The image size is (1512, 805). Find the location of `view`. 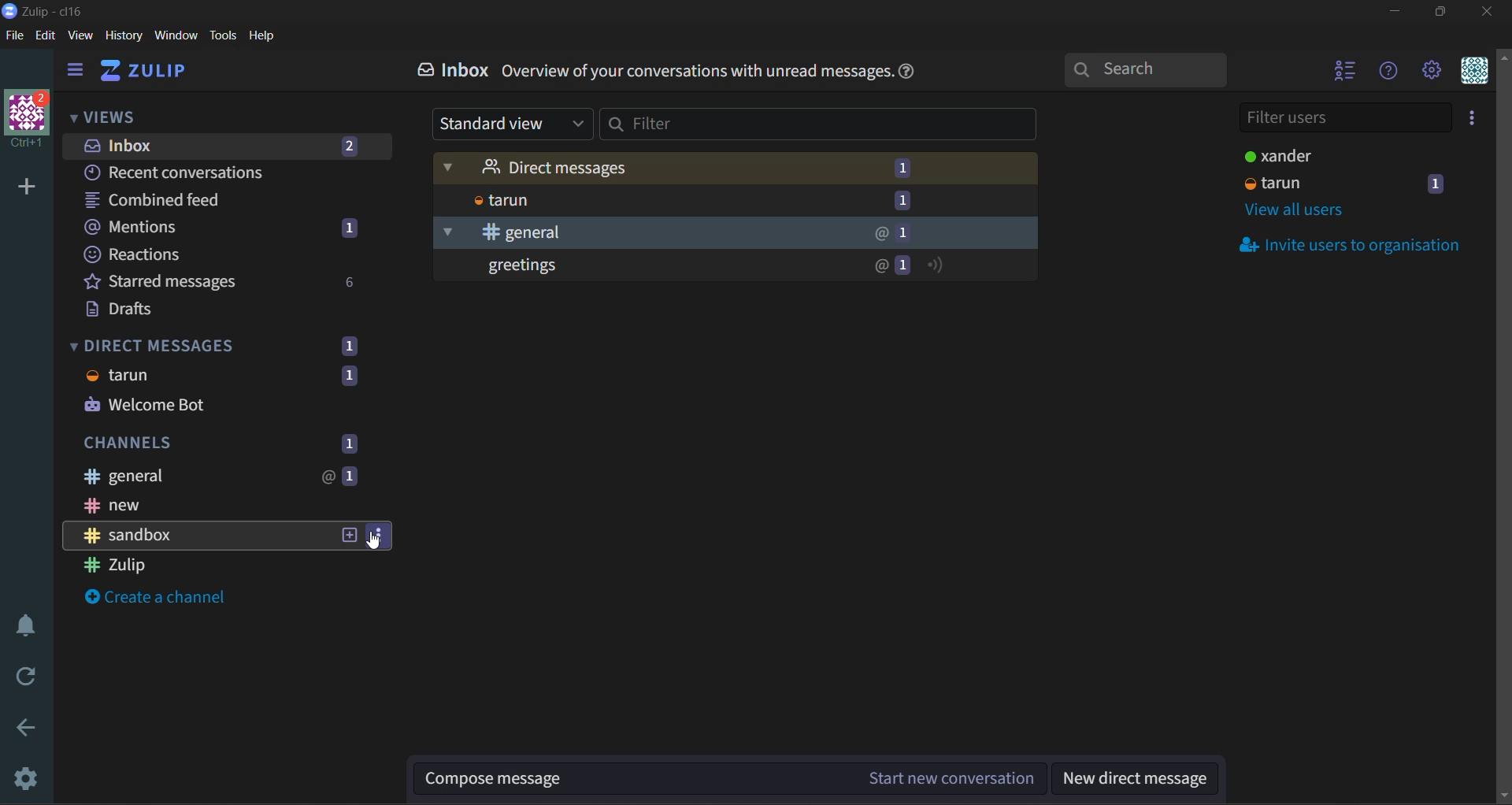

view is located at coordinates (83, 37).